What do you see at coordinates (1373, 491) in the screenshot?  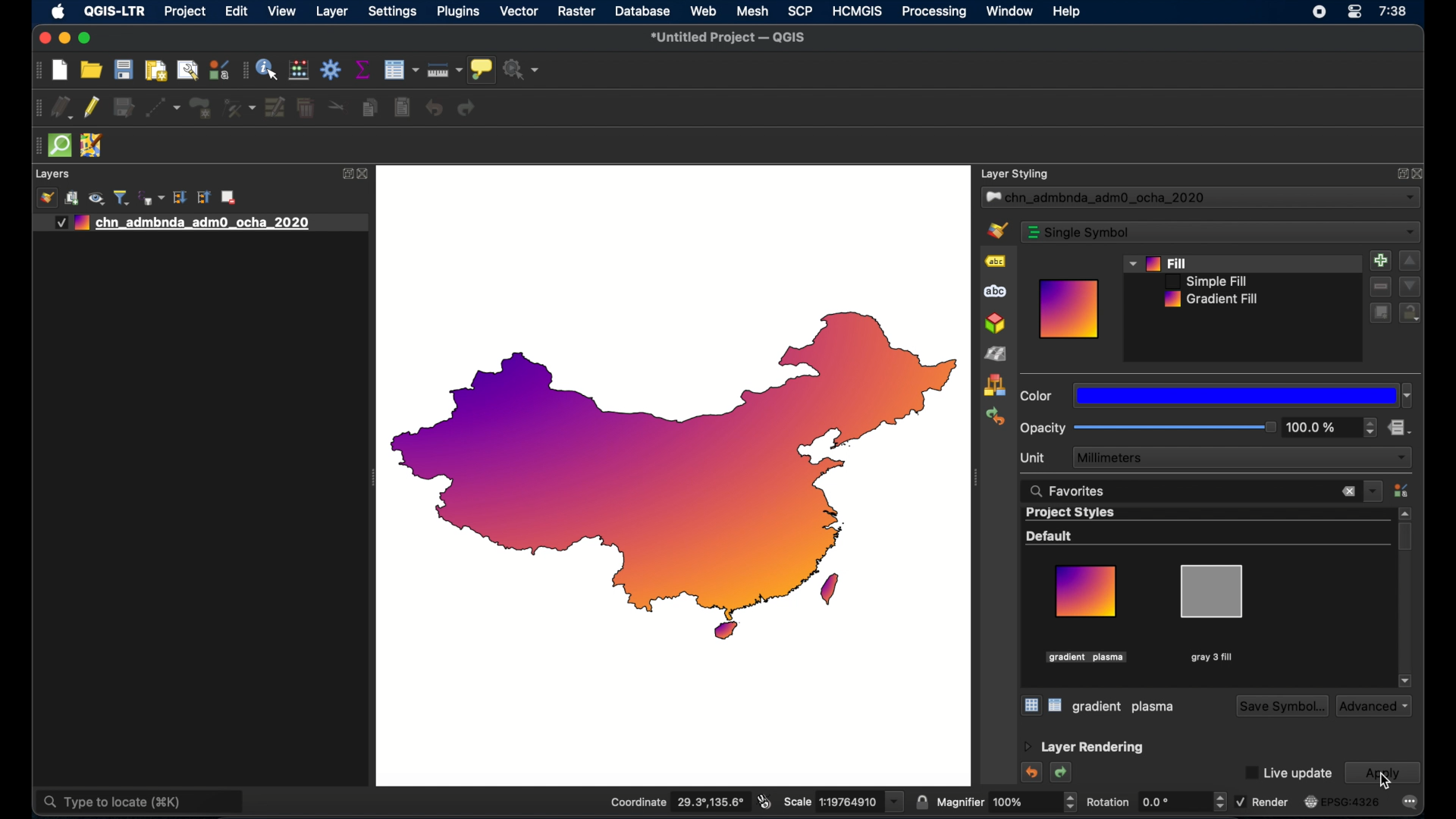 I see `dropdown menu` at bounding box center [1373, 491].